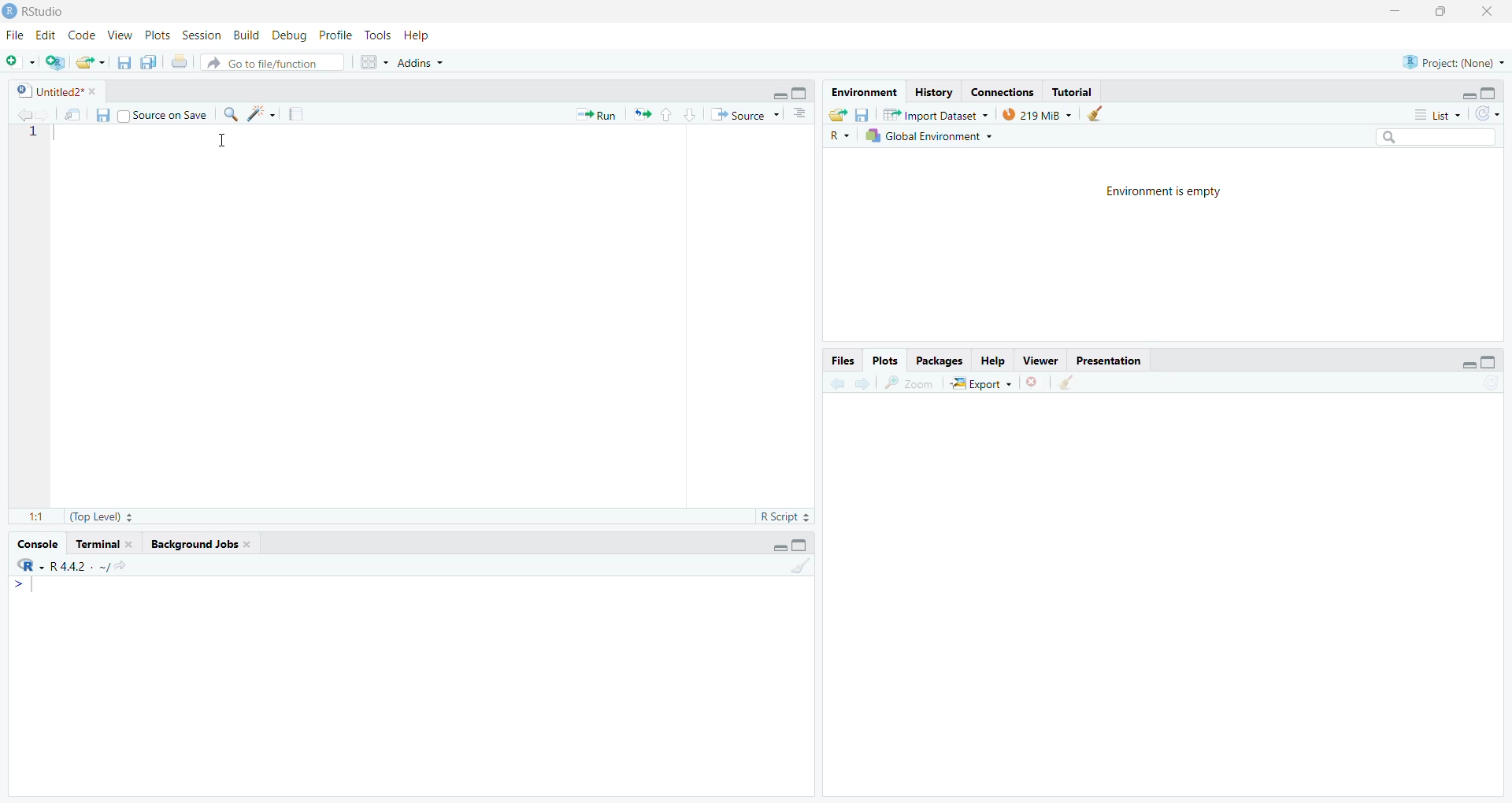 This screenshot has height=803, width=1512. I want to click on Save, so click(863, 114).